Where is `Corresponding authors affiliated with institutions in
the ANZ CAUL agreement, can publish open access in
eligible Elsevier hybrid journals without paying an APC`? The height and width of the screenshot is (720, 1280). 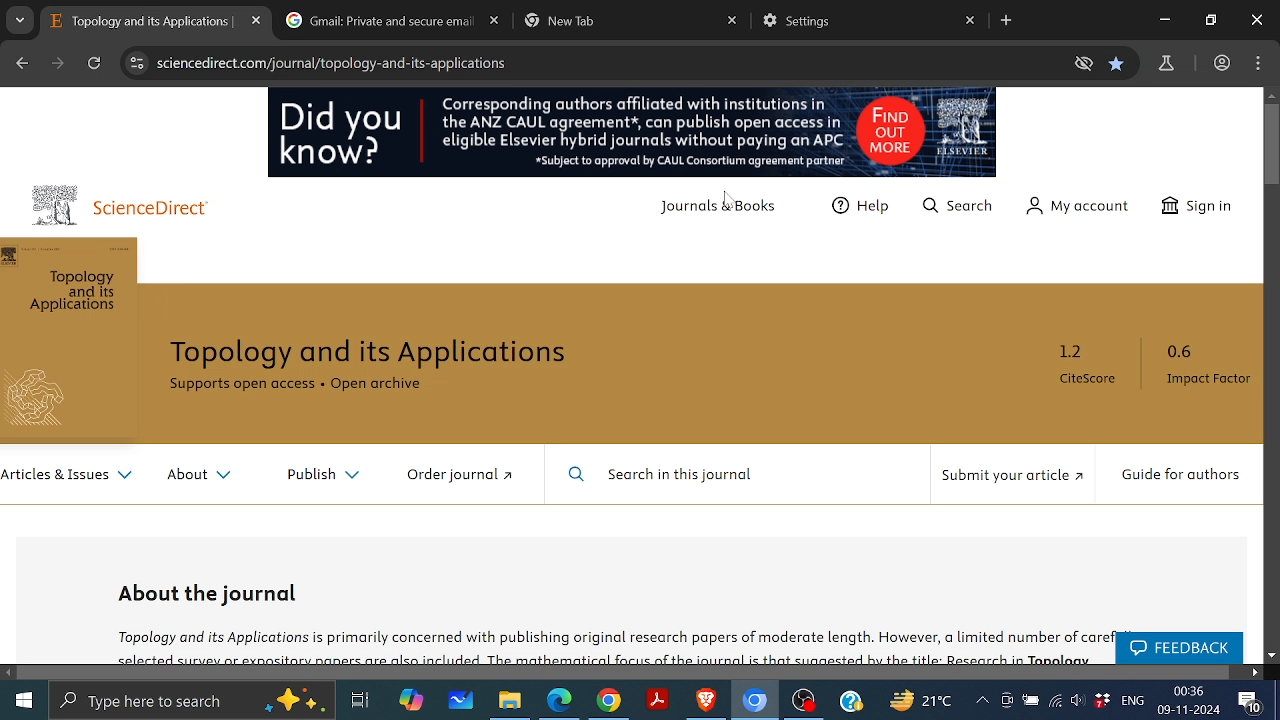 Corresponding authors affiliated with institutions in
the ANZ CAUL agreement, can publish open access in
eligible Elsevier hybrid journals without paying an APC is located at coordinates (636, 120).